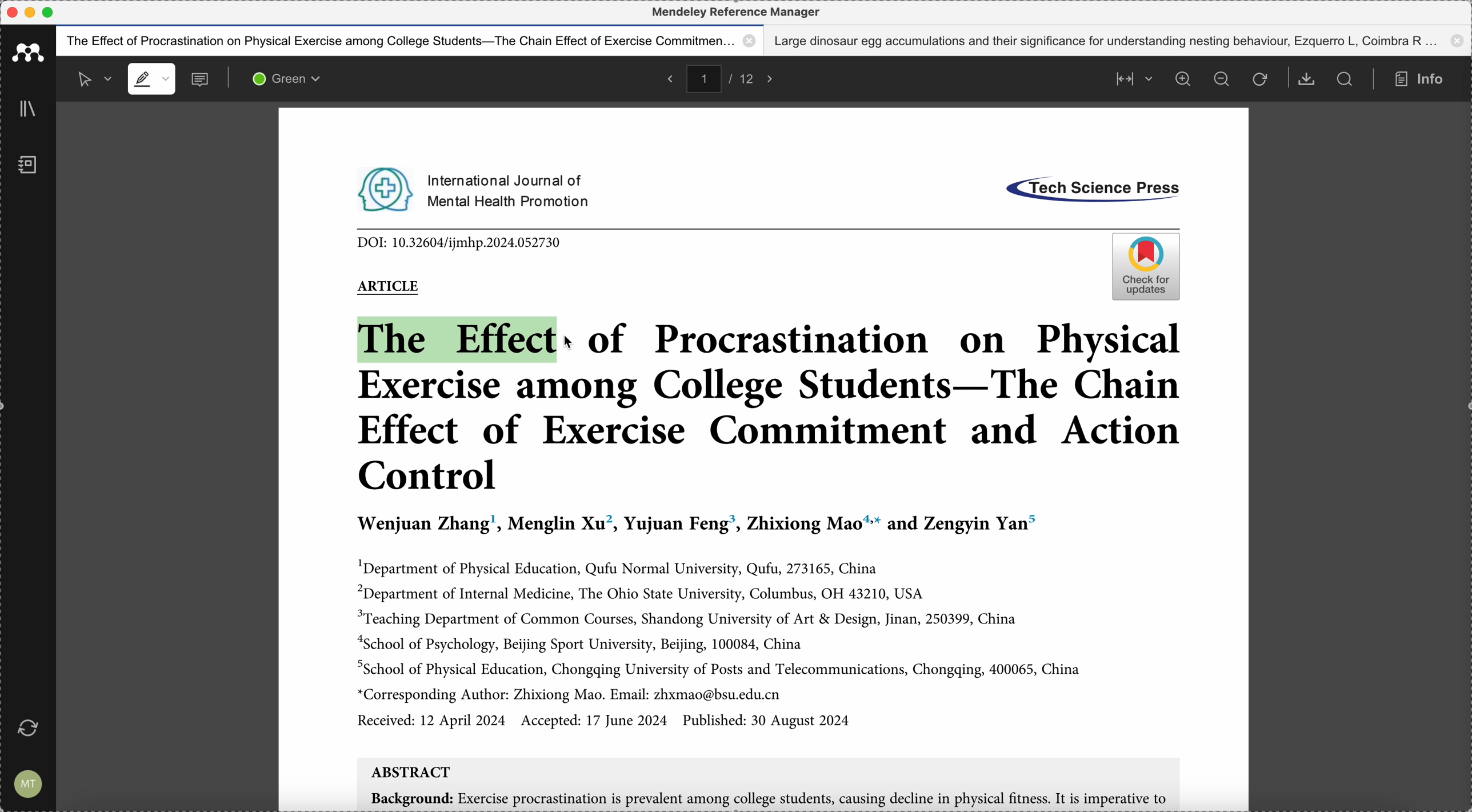 This screenshot has height=812, width=1472. Describe the element at coordinates (455, 339) in the screenshot. I see `drag to highlight with green color` at that location.